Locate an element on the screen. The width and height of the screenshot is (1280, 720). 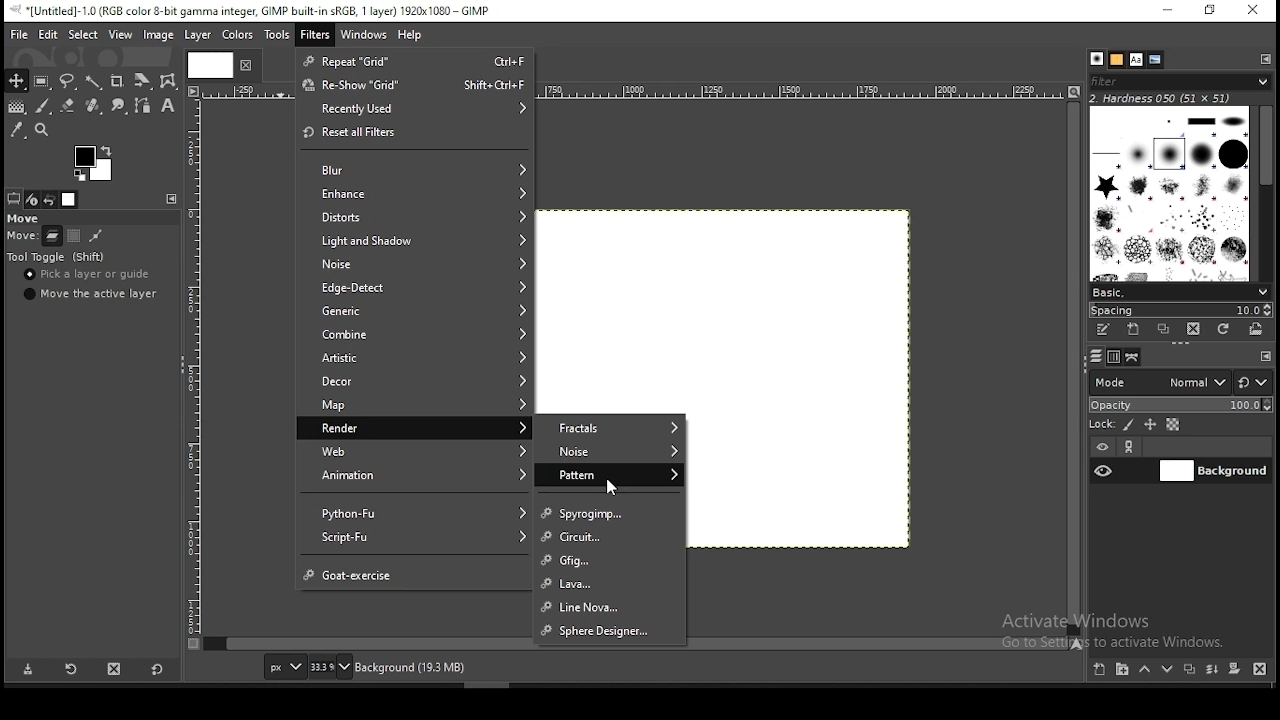
lock pixels is located at coordinates (1128, 425).